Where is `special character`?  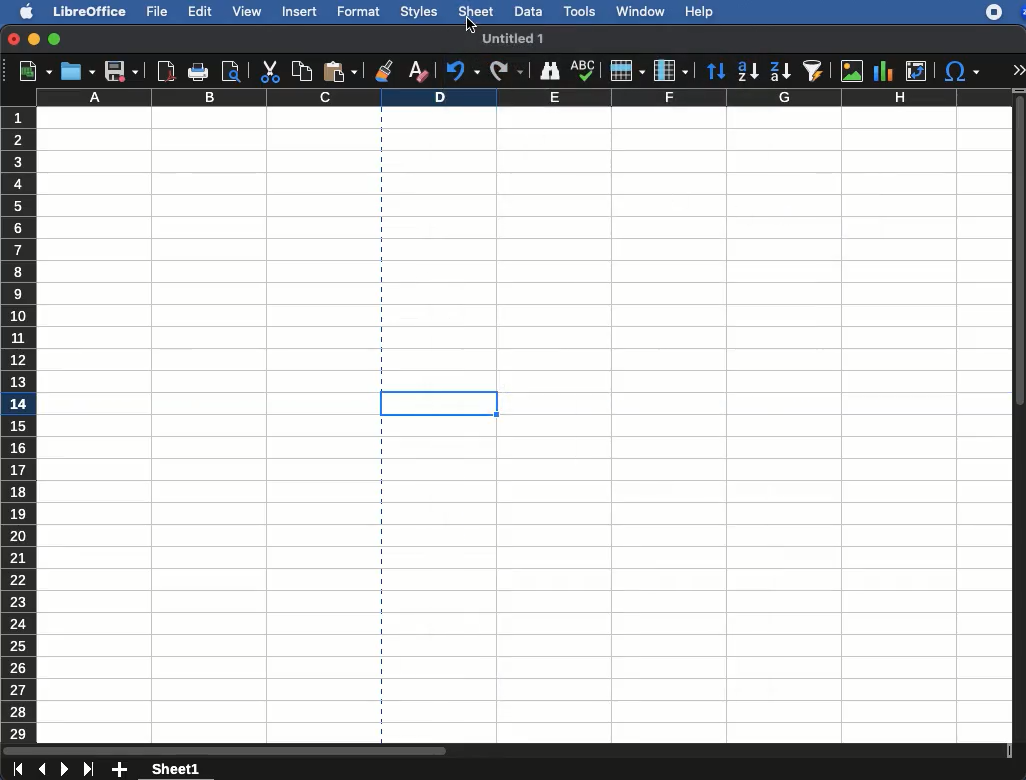
special character is located at coordinates (962, 71).